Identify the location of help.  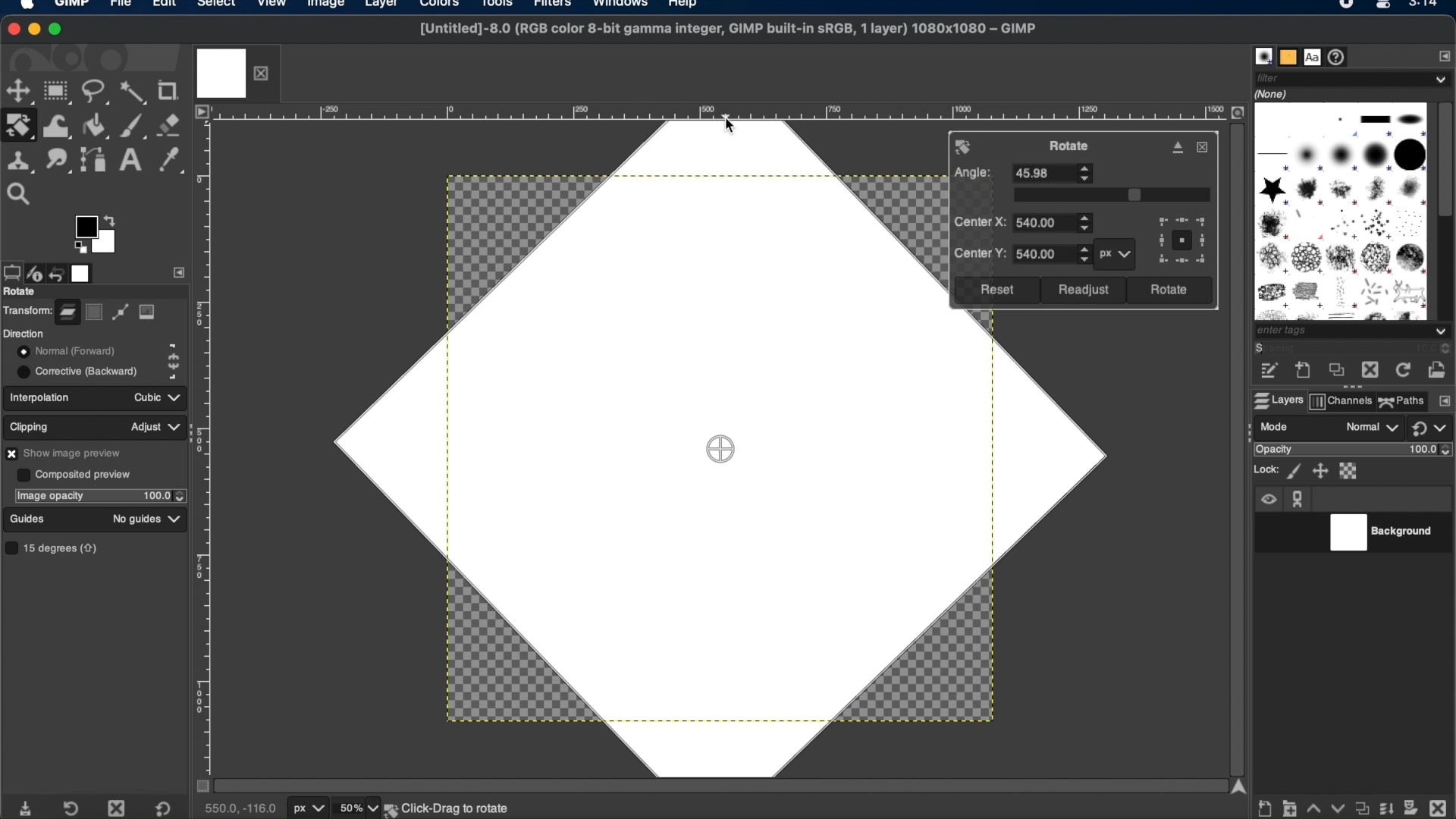
(684, 6).